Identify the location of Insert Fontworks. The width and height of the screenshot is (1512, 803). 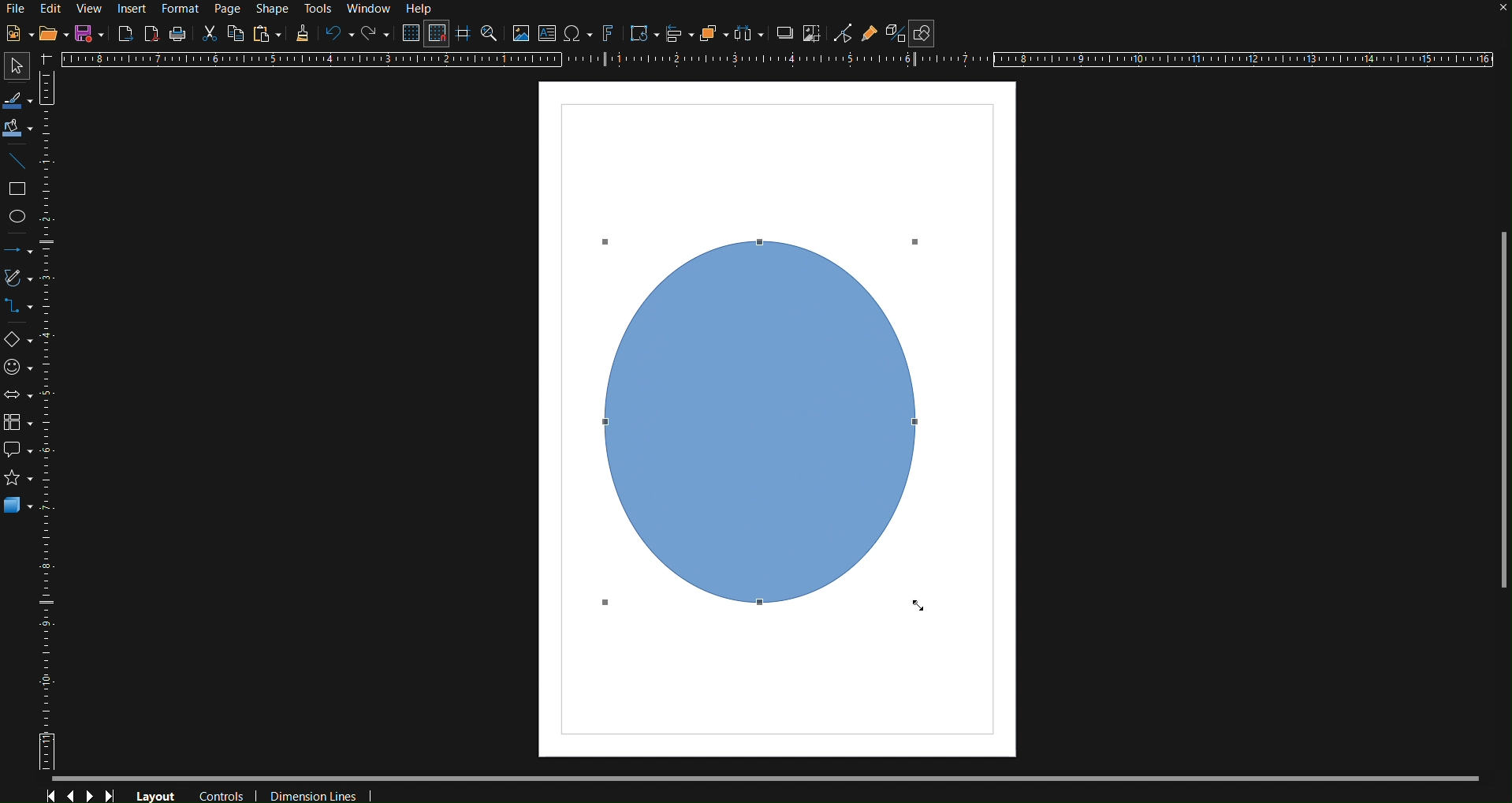
(608, 35).